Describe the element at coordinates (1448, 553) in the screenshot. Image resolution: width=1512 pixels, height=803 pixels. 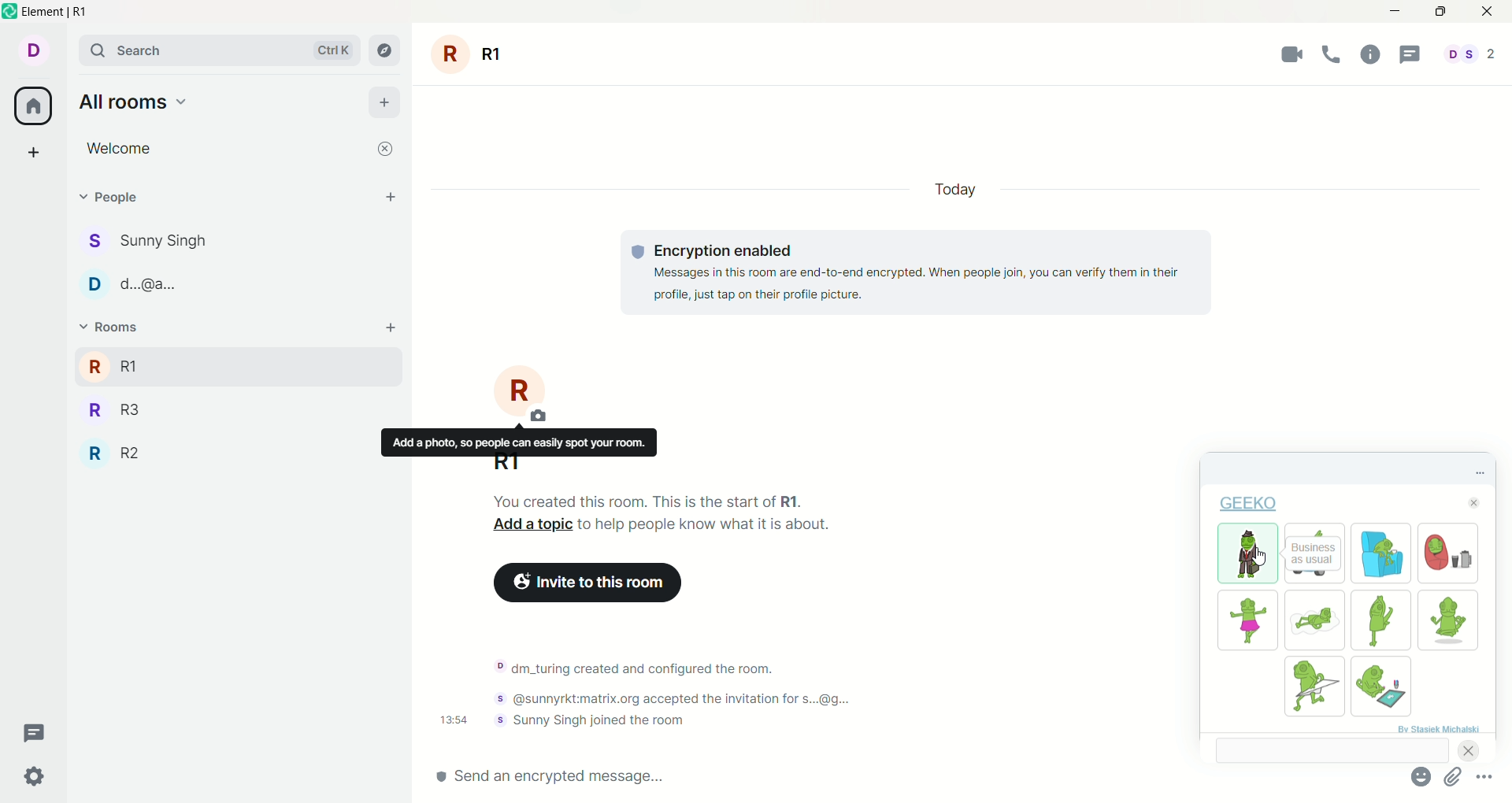
I see `Geeko cozy sticker` at that location.